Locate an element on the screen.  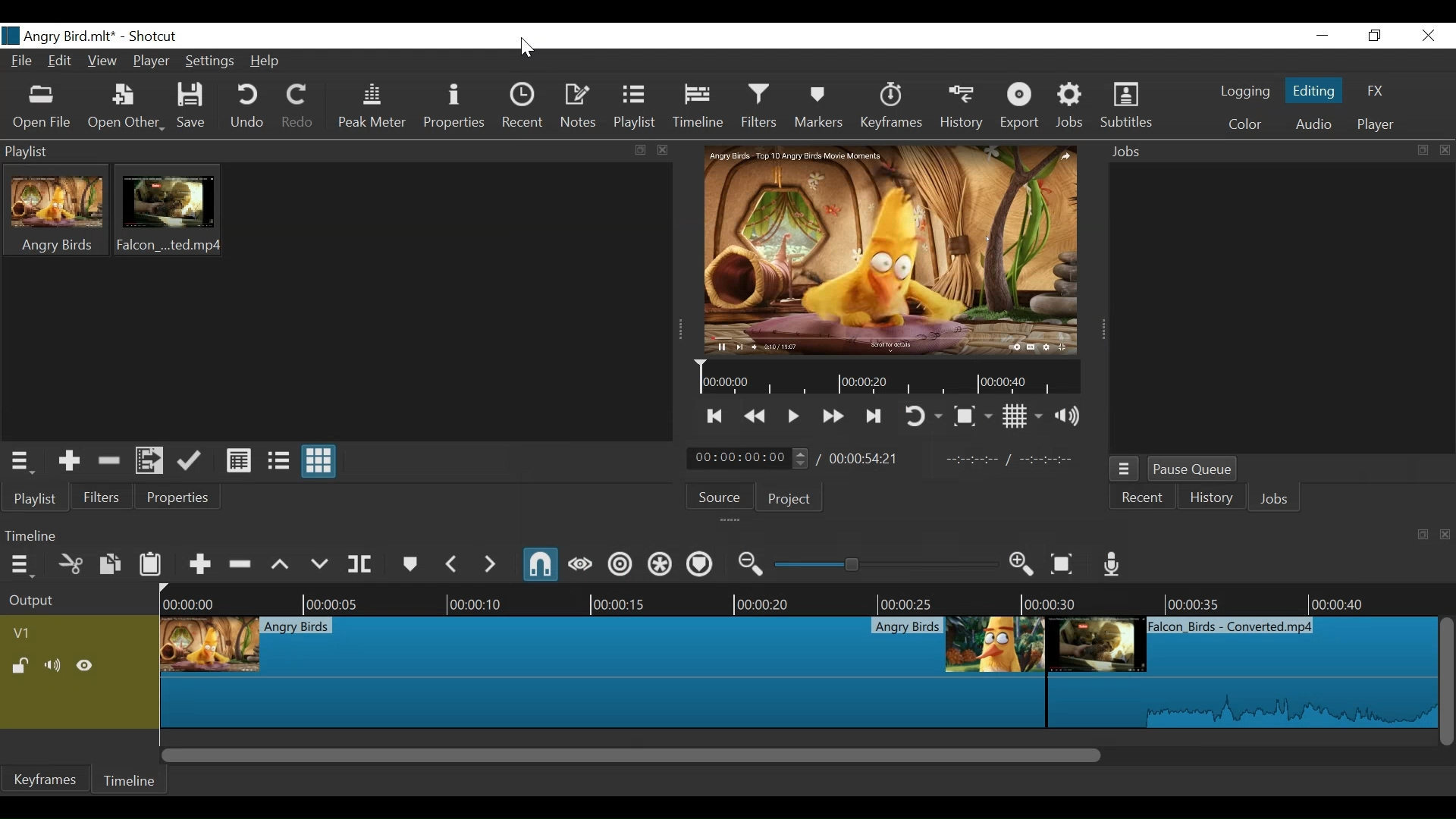
Clip is located at coordinates (54, 211).